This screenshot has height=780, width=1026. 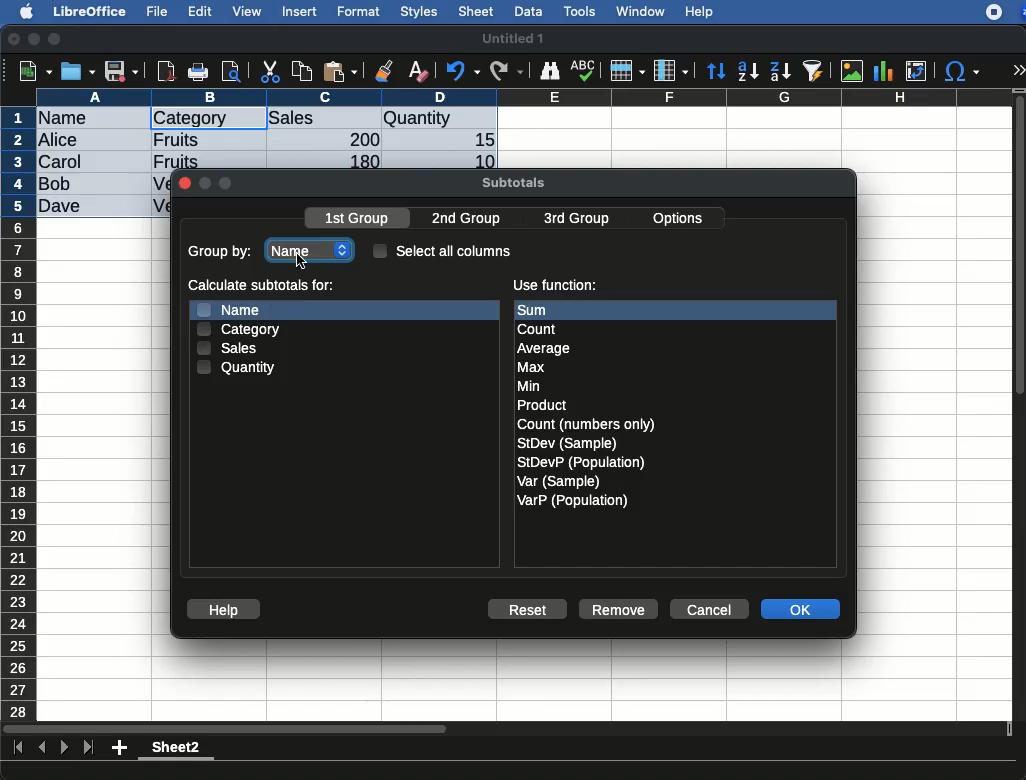 I want to click on ascending, so click(x=748, y=70).